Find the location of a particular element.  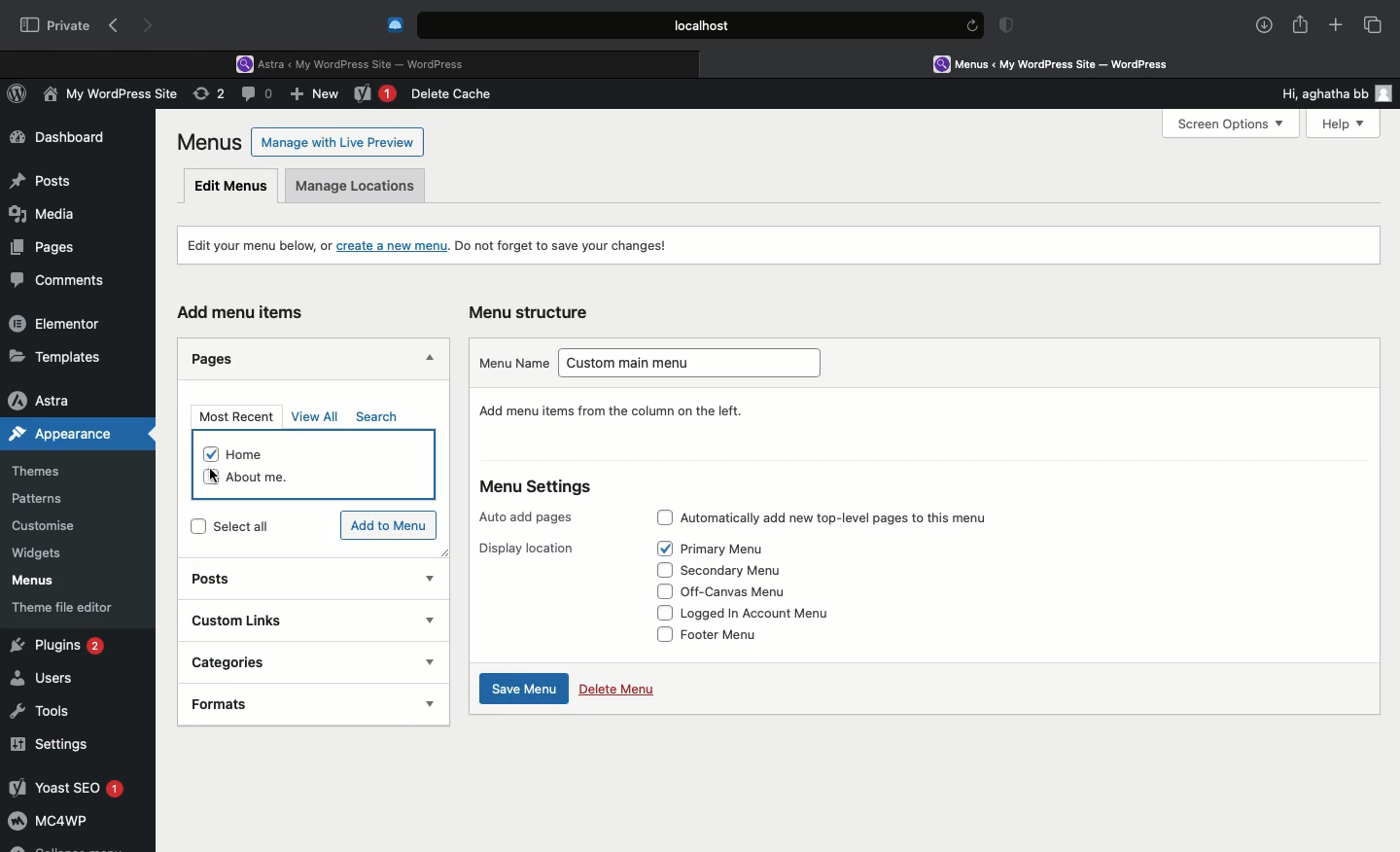

Menu structure is located at coordinates (533, 312).